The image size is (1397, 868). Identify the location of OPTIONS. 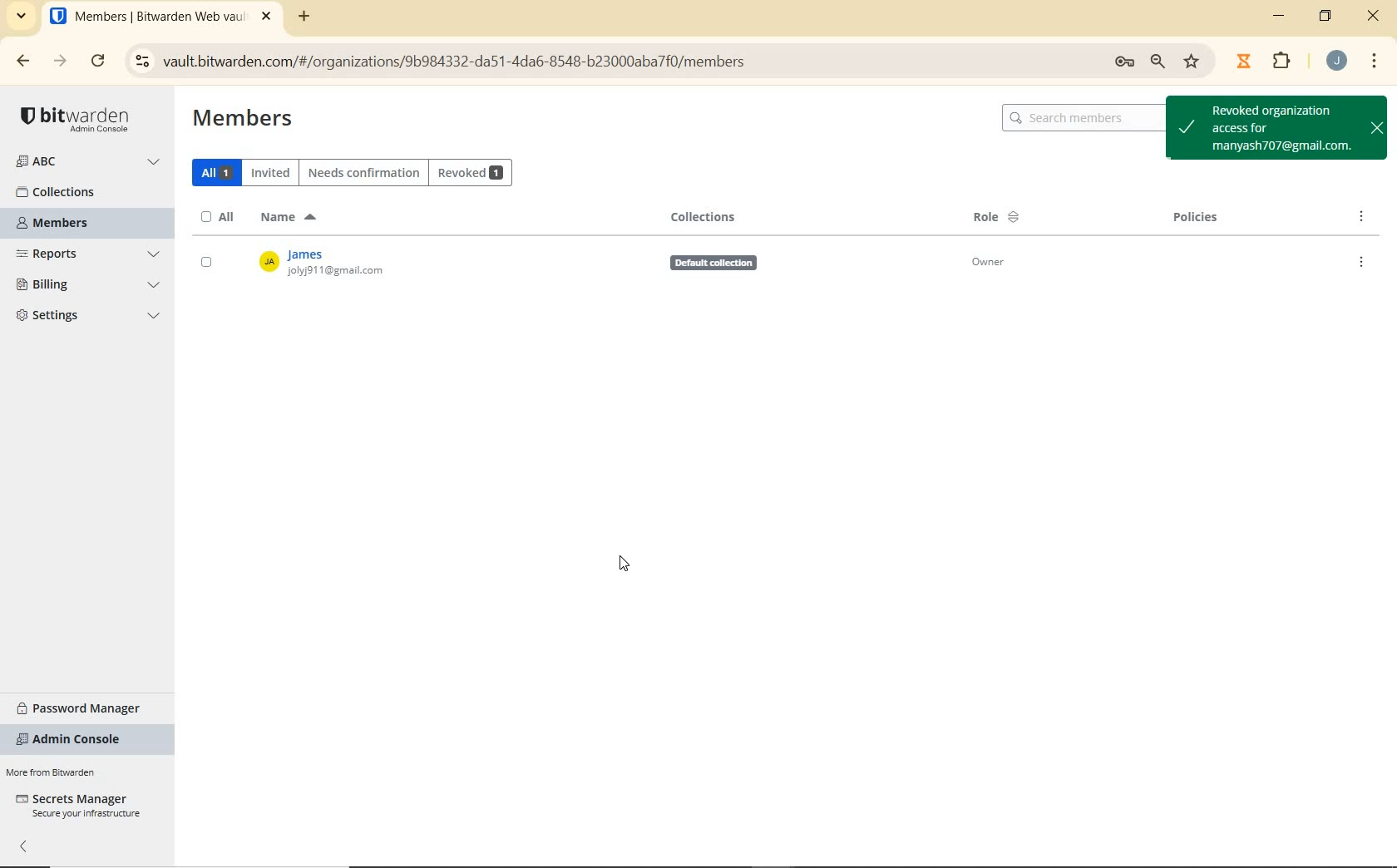
(1360, 261).